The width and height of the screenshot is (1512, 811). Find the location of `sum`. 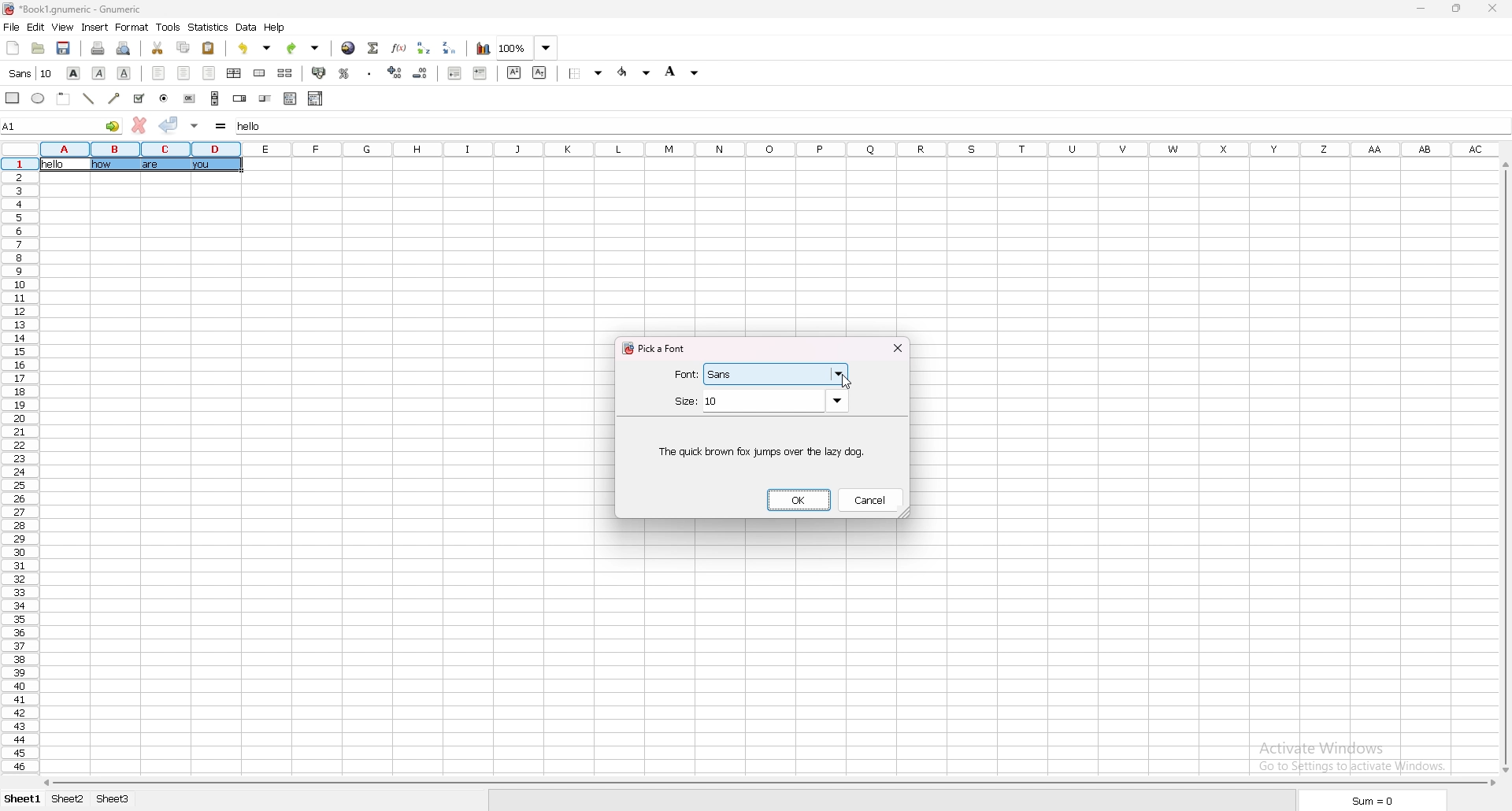

sum is located at coordinates (1369, 799).